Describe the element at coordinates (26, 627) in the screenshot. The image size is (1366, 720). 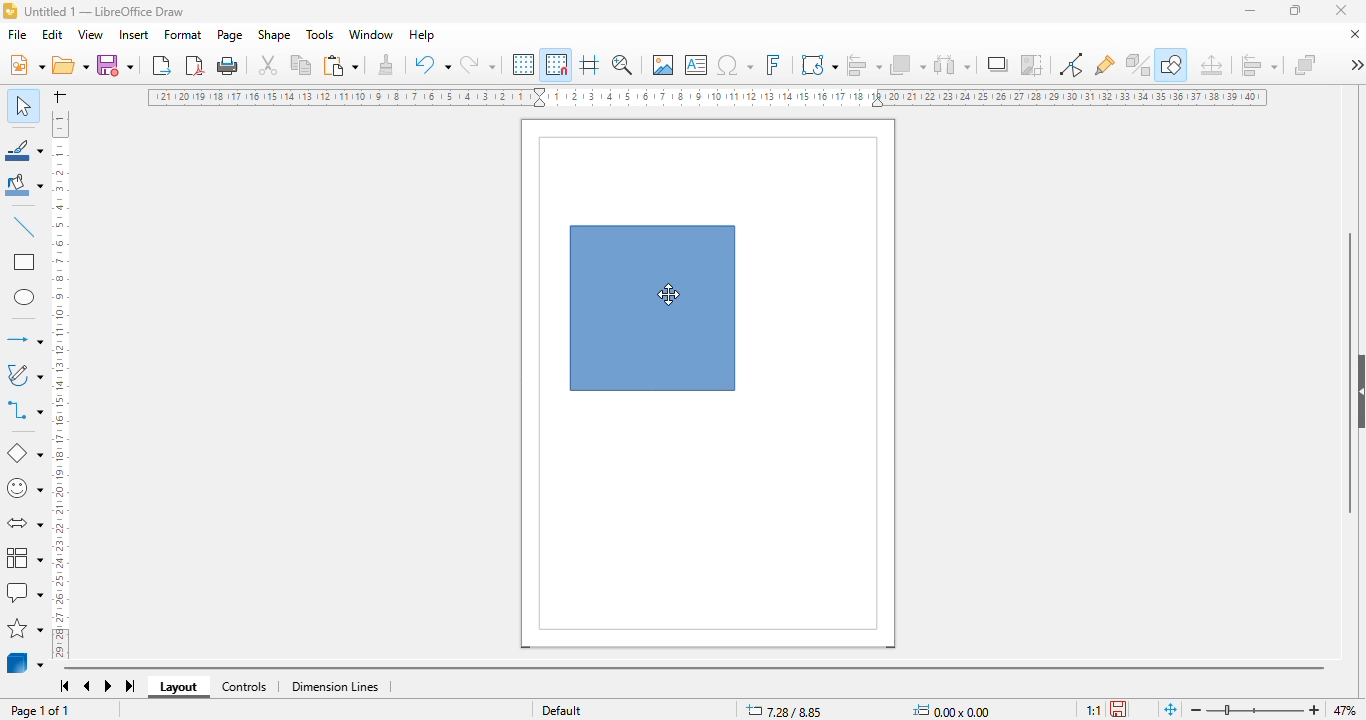
I see `stars and banners` at that location.